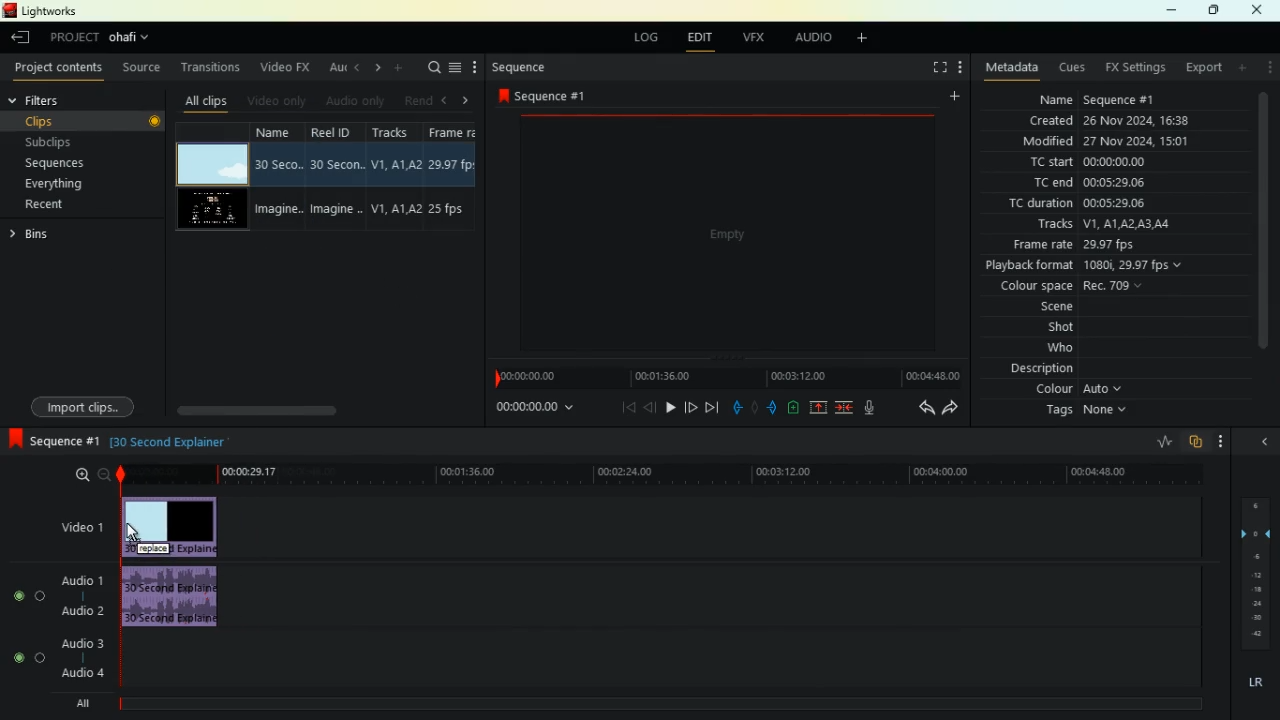  Describe the element at coordinates (59, 68) in the screenshot. I see `project contents` at that location.